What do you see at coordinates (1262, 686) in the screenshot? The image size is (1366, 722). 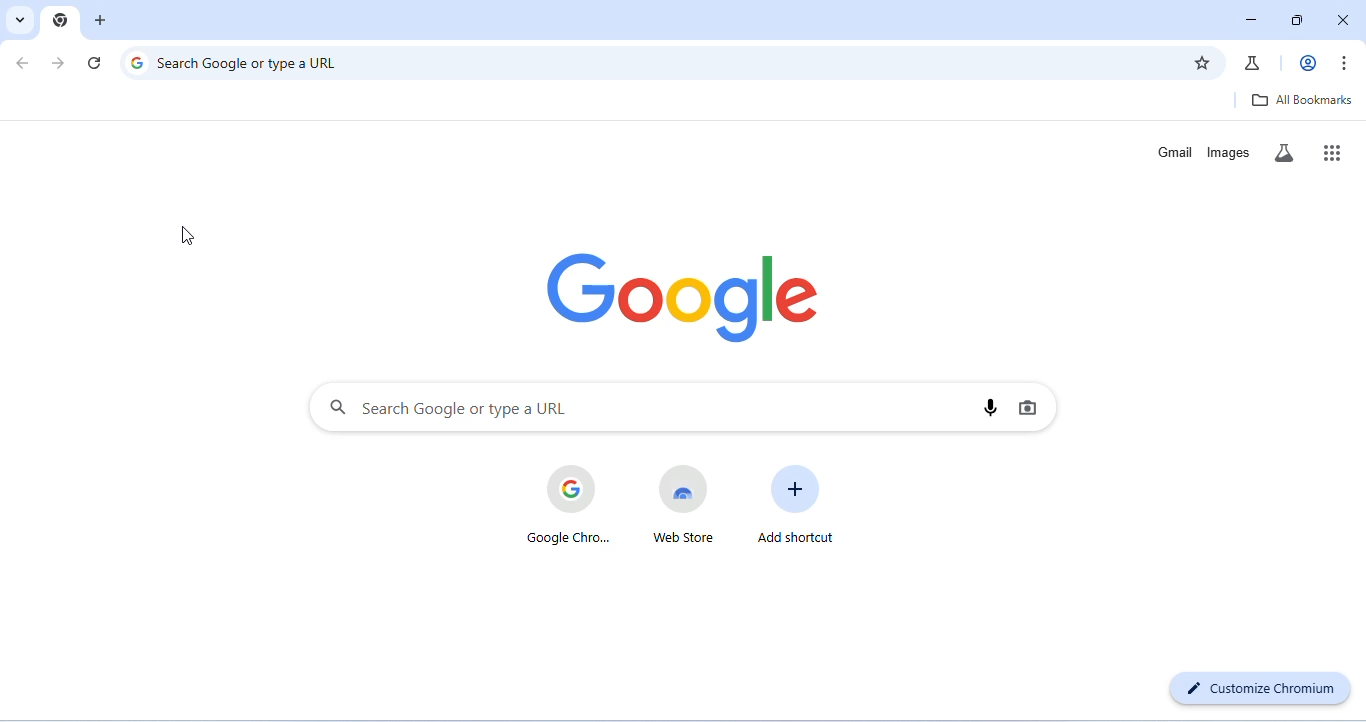 I see `customize chromium` at bounding box center [1262, 686].